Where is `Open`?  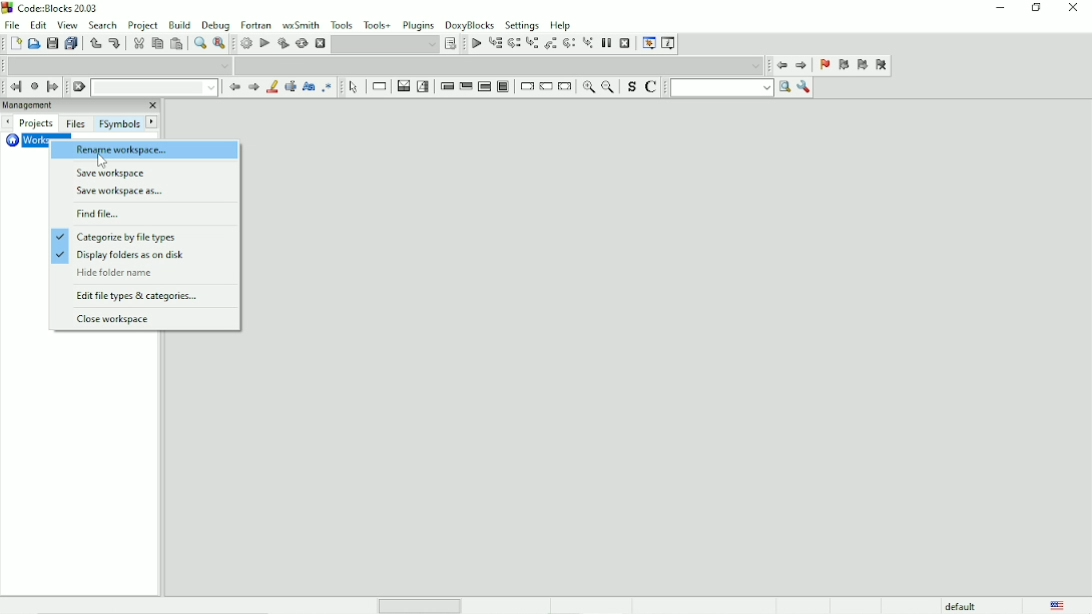
Open is located at coordinates (34, 44).